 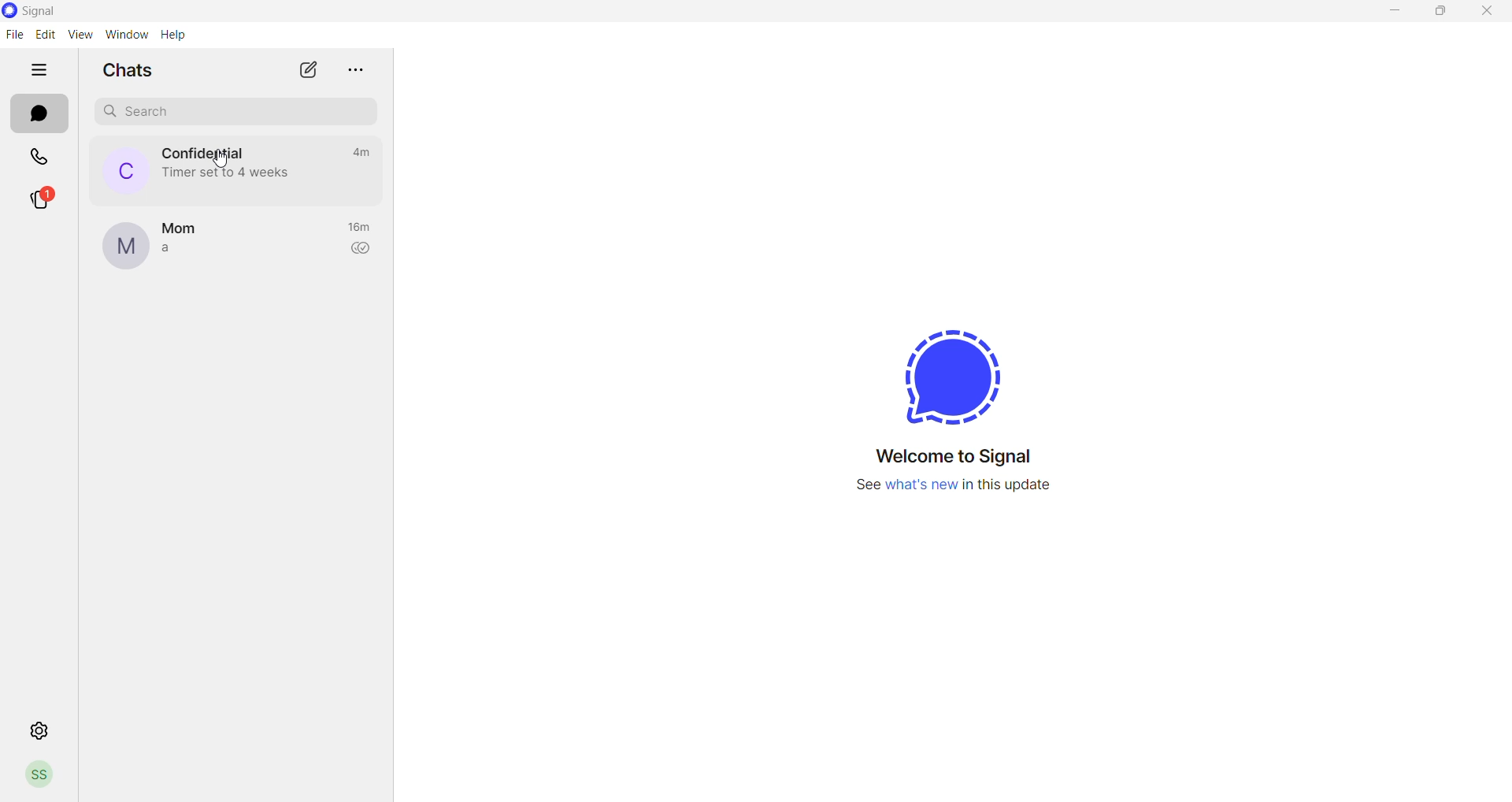 What do you see at coordinates (185, 224) in the screenshot?
I see `contact` at bounding box center [185, 224].